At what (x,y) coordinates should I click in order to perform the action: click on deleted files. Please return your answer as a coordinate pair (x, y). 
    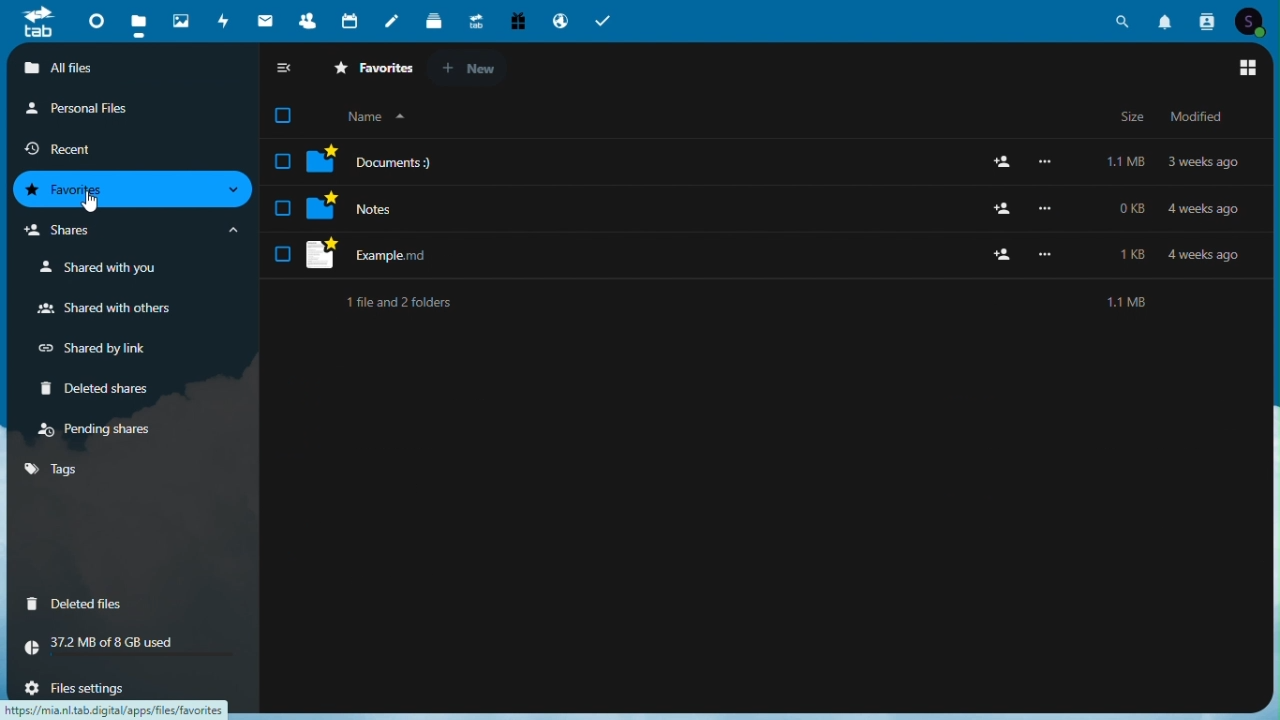
    Looking at the image, I should click on (129, 604).